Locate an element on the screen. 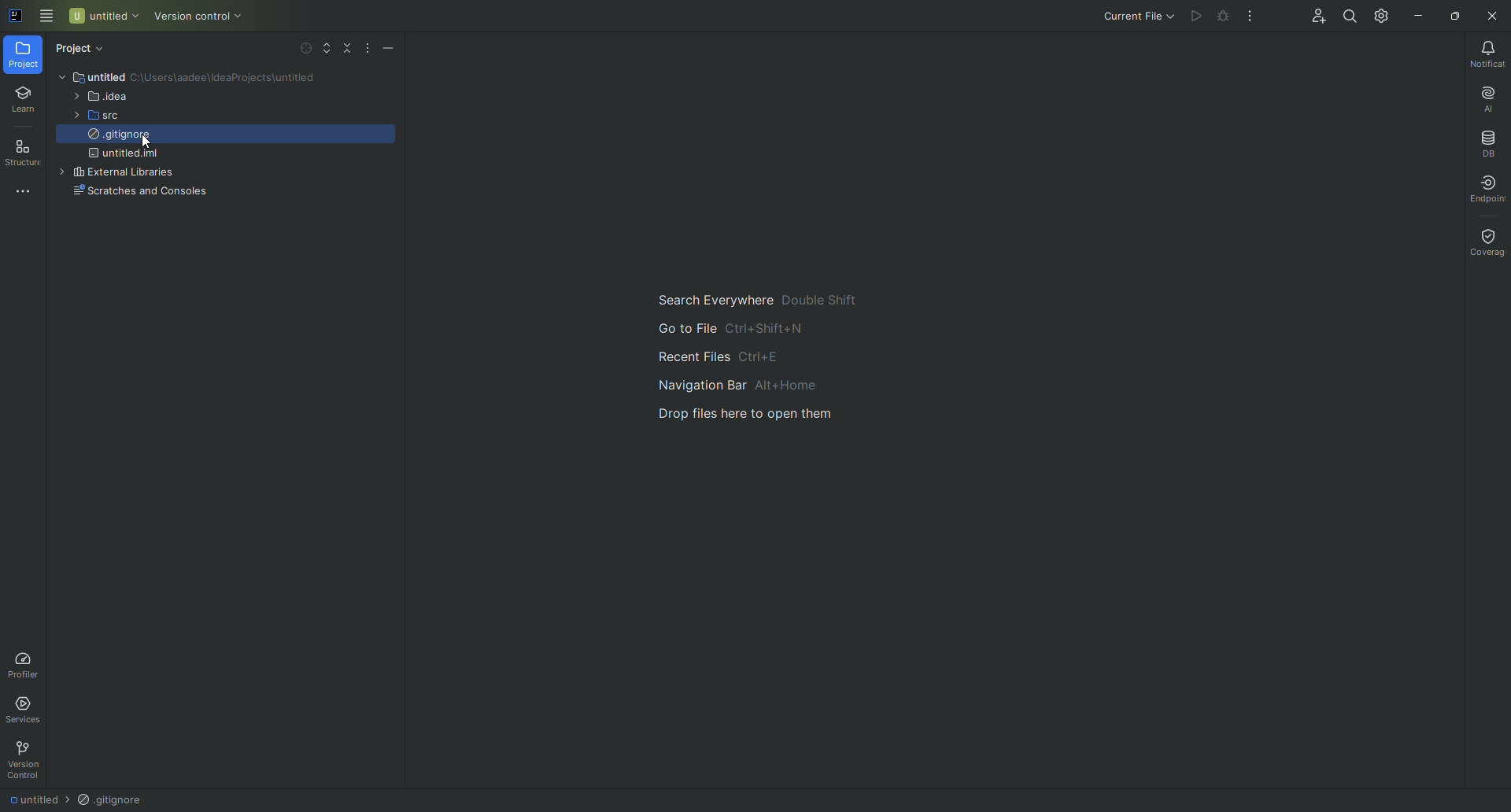 This screenshot has width=1511, height=812. Services is located at coordinates (29, 710).